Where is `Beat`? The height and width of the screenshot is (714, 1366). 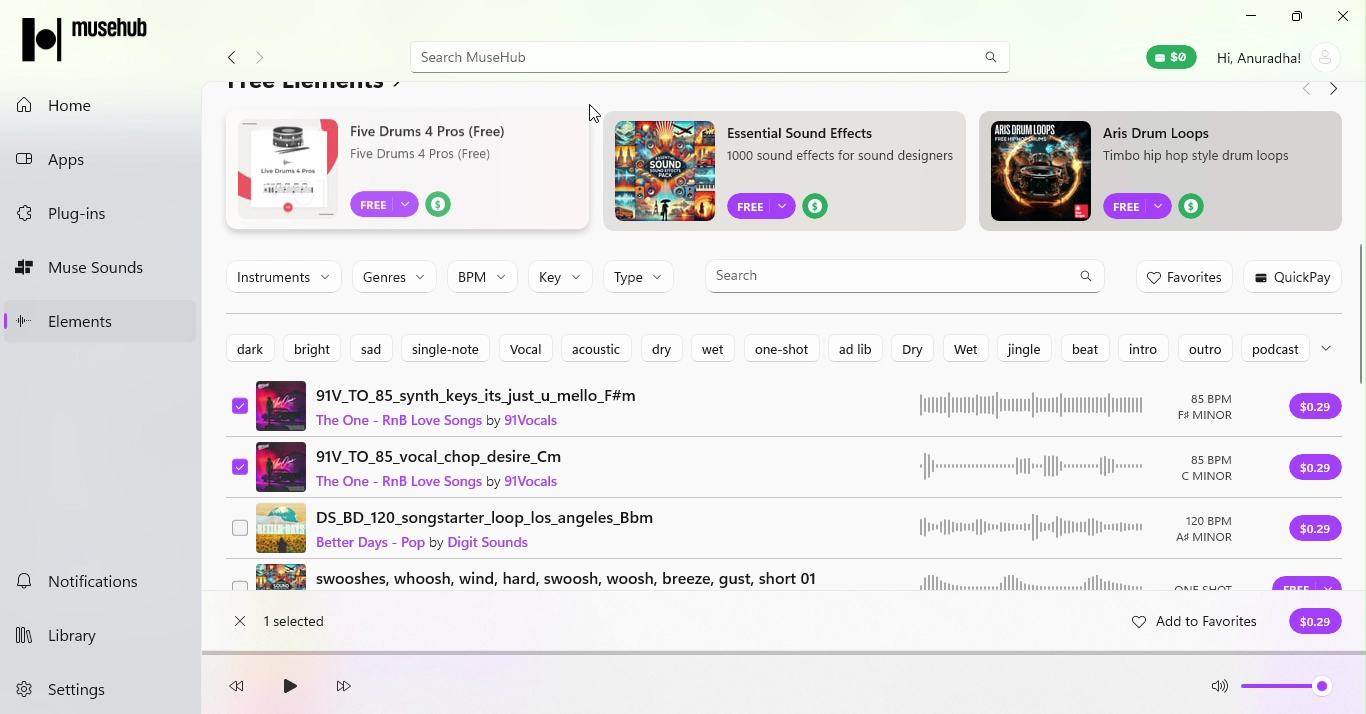 Beat is located at coordinates (1088, 349).